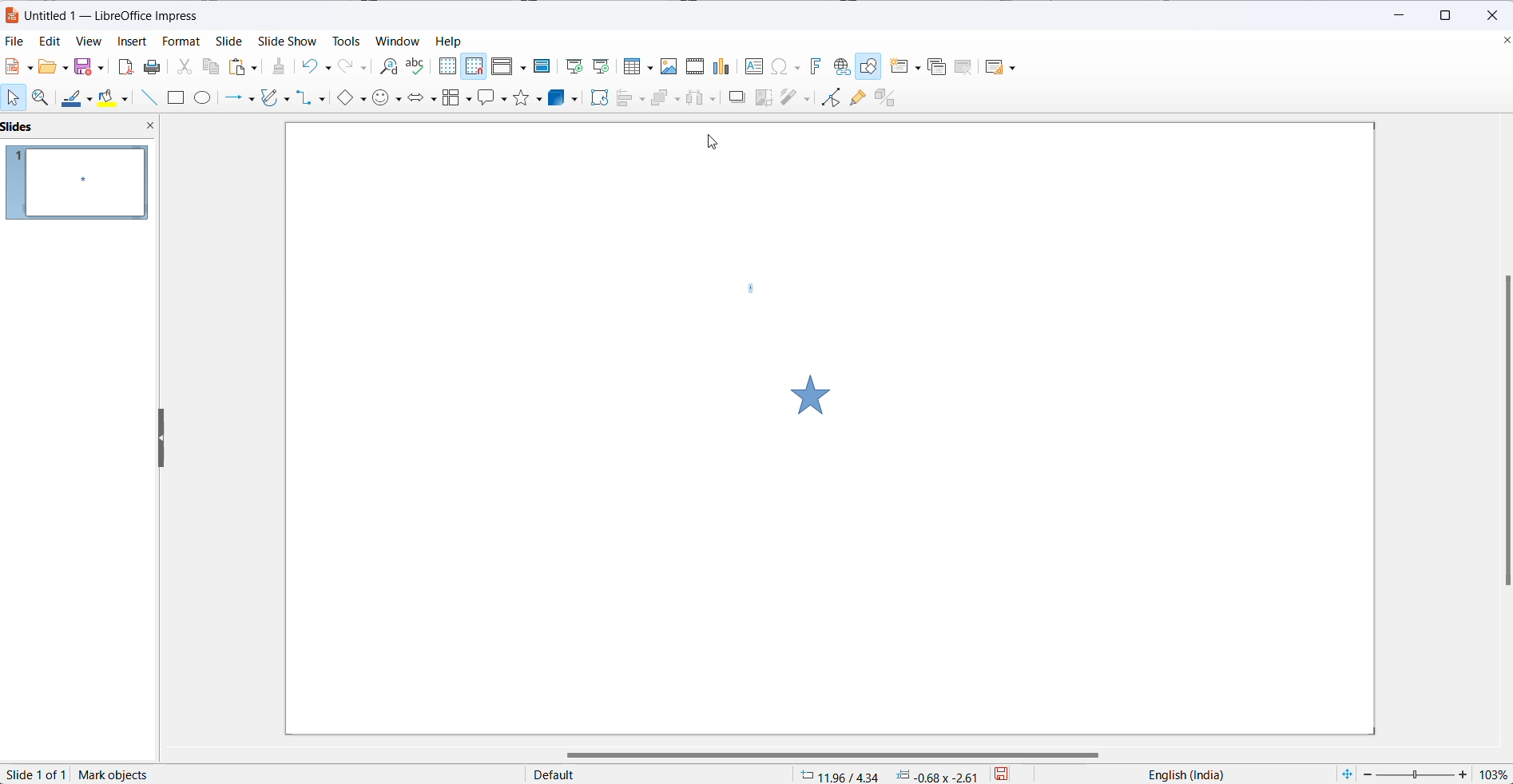 The image size is (1513, 784). I want to click on insert audio and video, so click(693, 66).